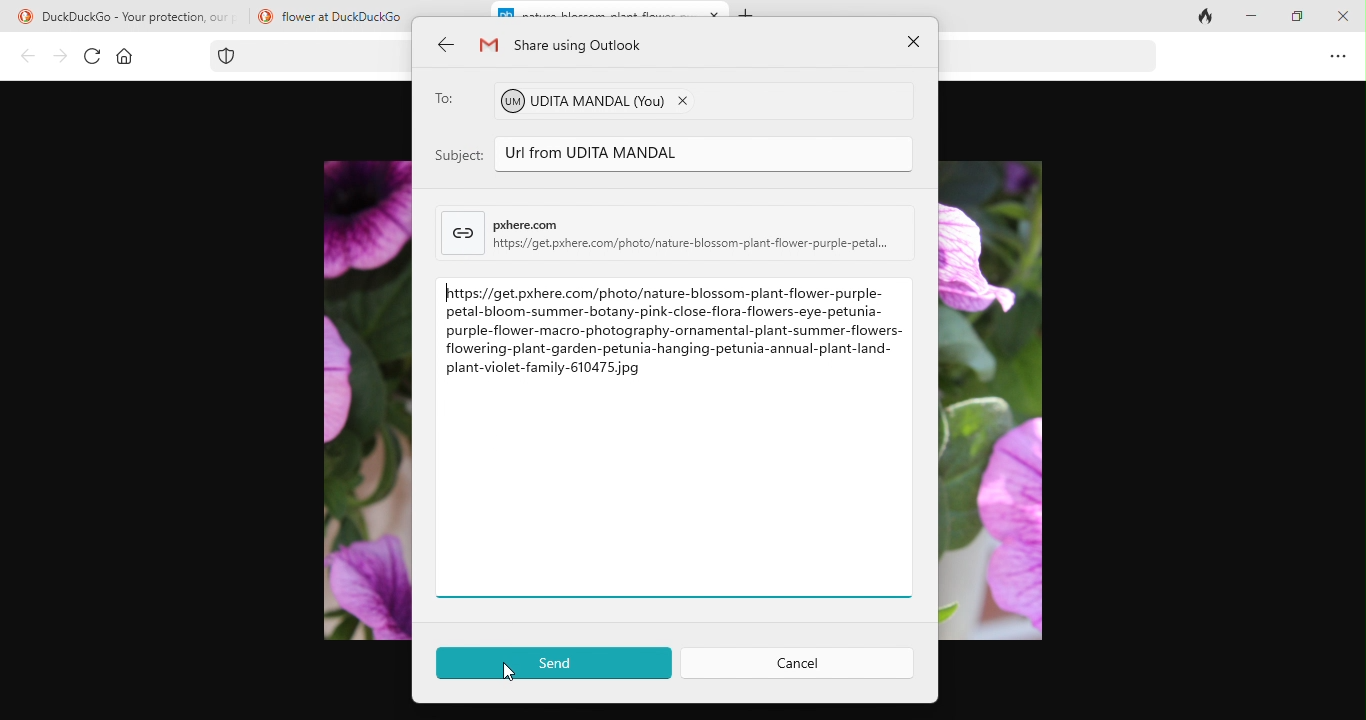  Describe the element at coordinates (18, 17) in the screenshot. I see `duckduck go logo` at that location.